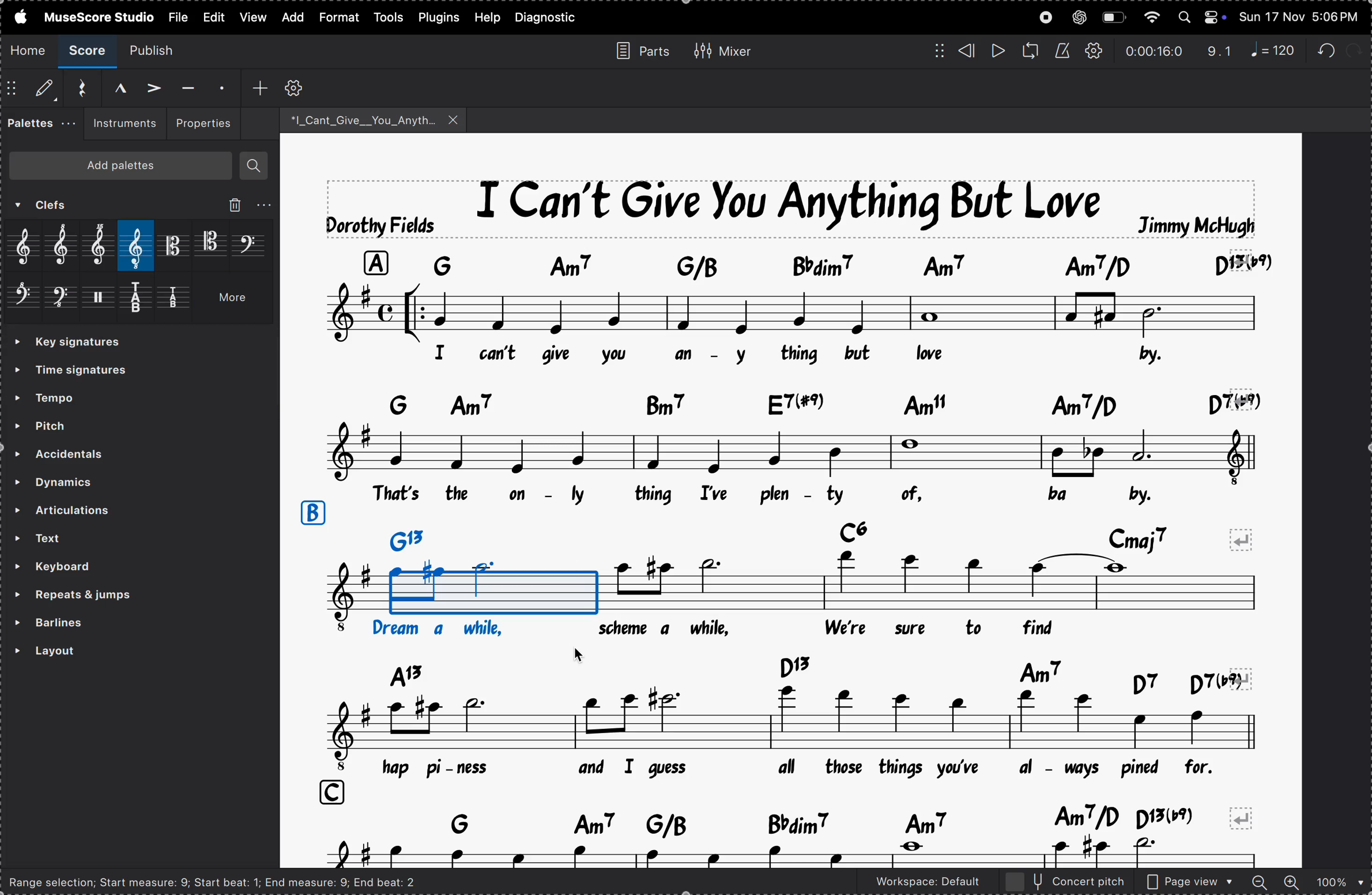 The image size is (1372, 895). What do you see at coordinates (61, 302) in the screenshot?
I see `bass clef 8 bassa` at bounding box center [61, 302].